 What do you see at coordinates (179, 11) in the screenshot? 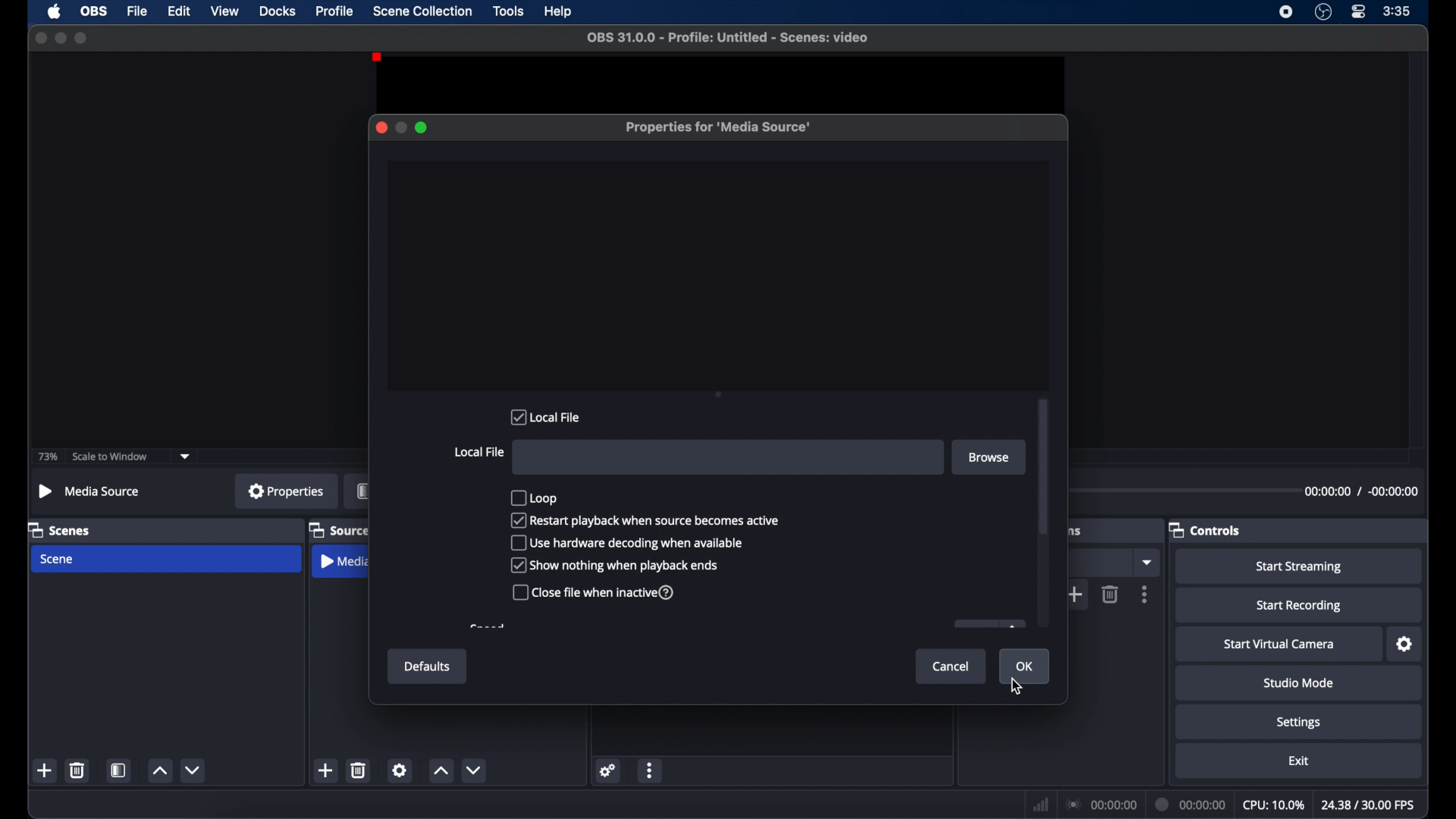
I see `edit` at bounding box center [179, 11].